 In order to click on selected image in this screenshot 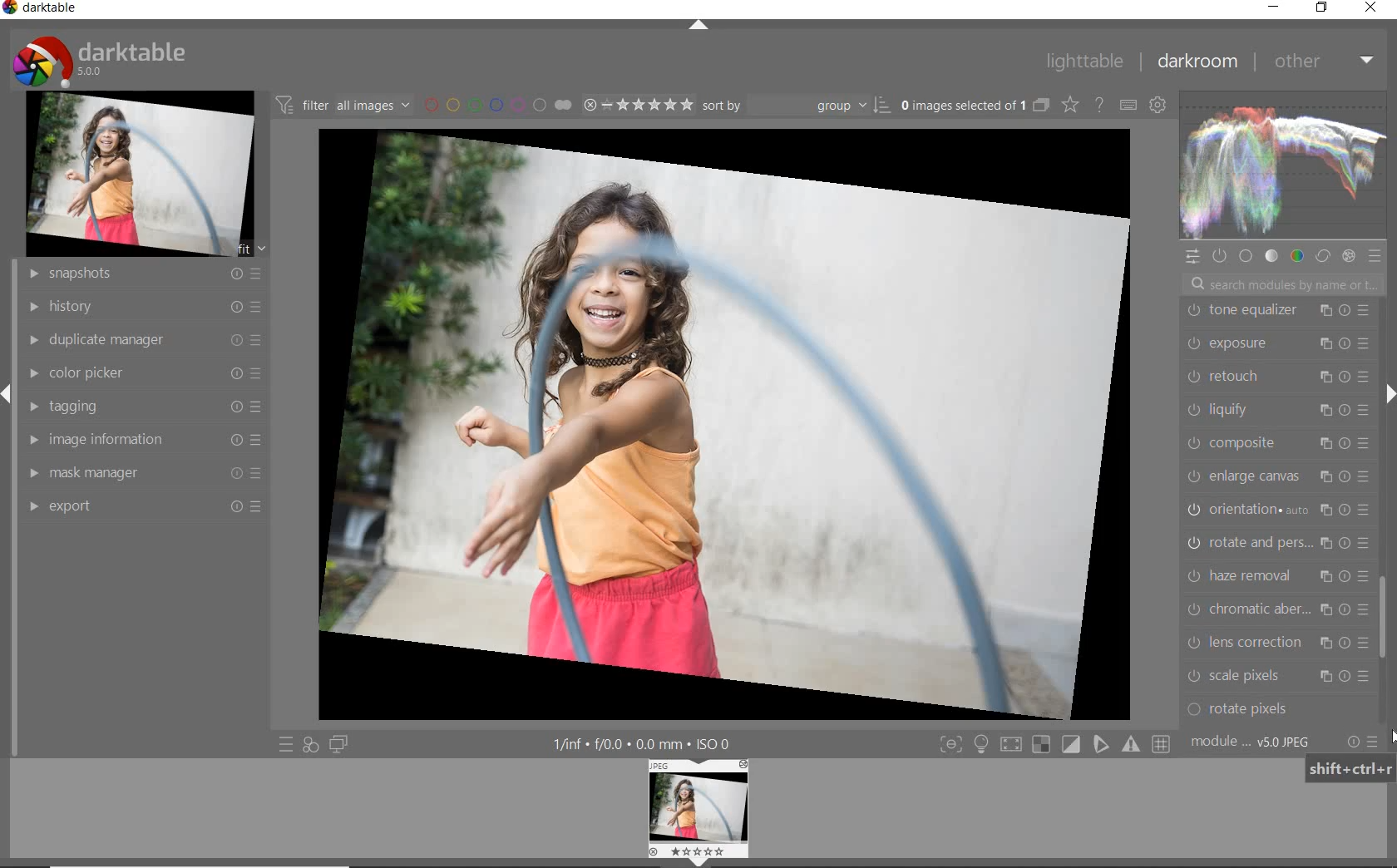, I will do `click(725, 423)`.